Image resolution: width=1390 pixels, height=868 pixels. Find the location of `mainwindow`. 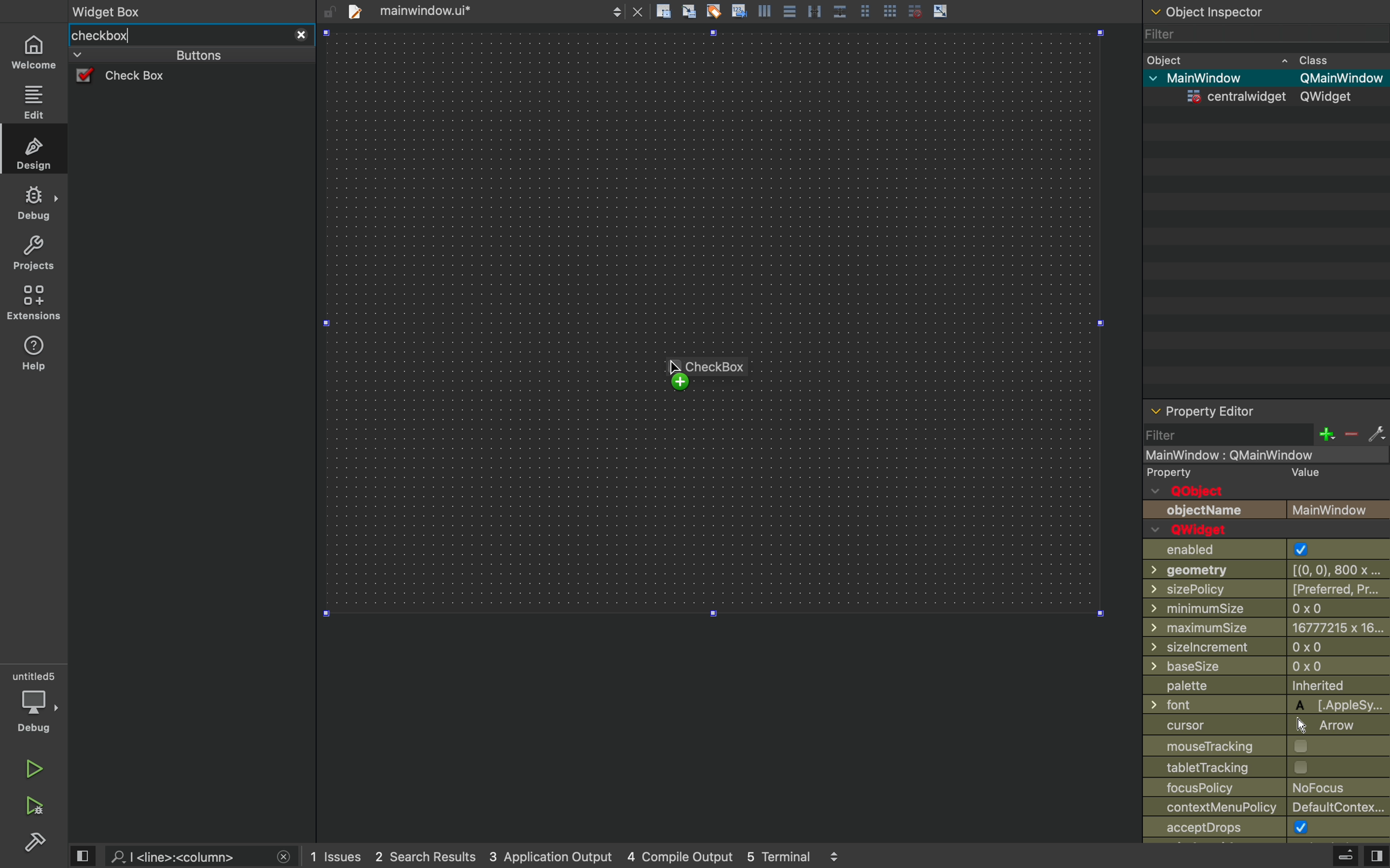

mainwindow is located at coordinates (1250, 456).